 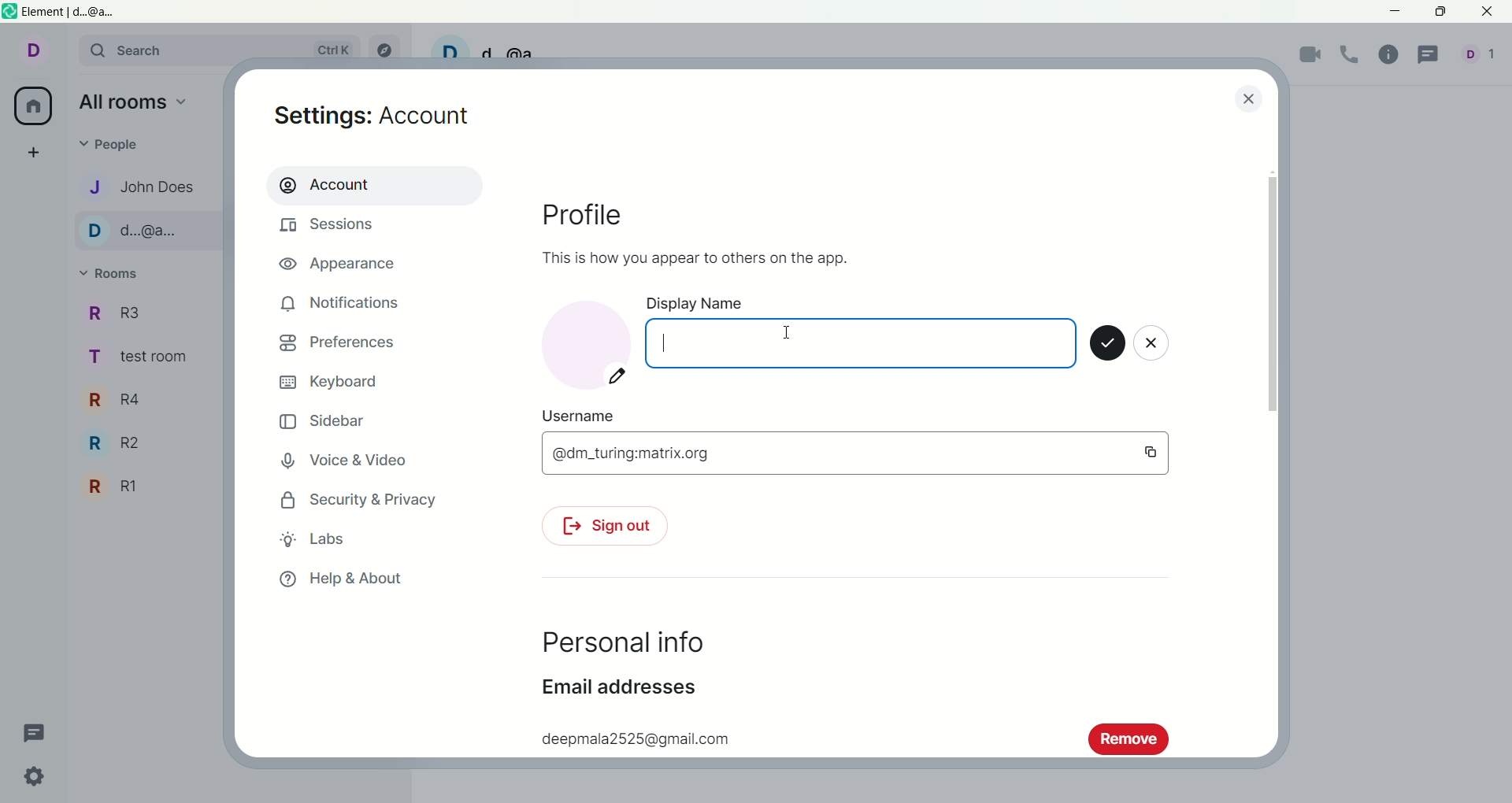 I want to click on email address, so click(x=618, y=692).